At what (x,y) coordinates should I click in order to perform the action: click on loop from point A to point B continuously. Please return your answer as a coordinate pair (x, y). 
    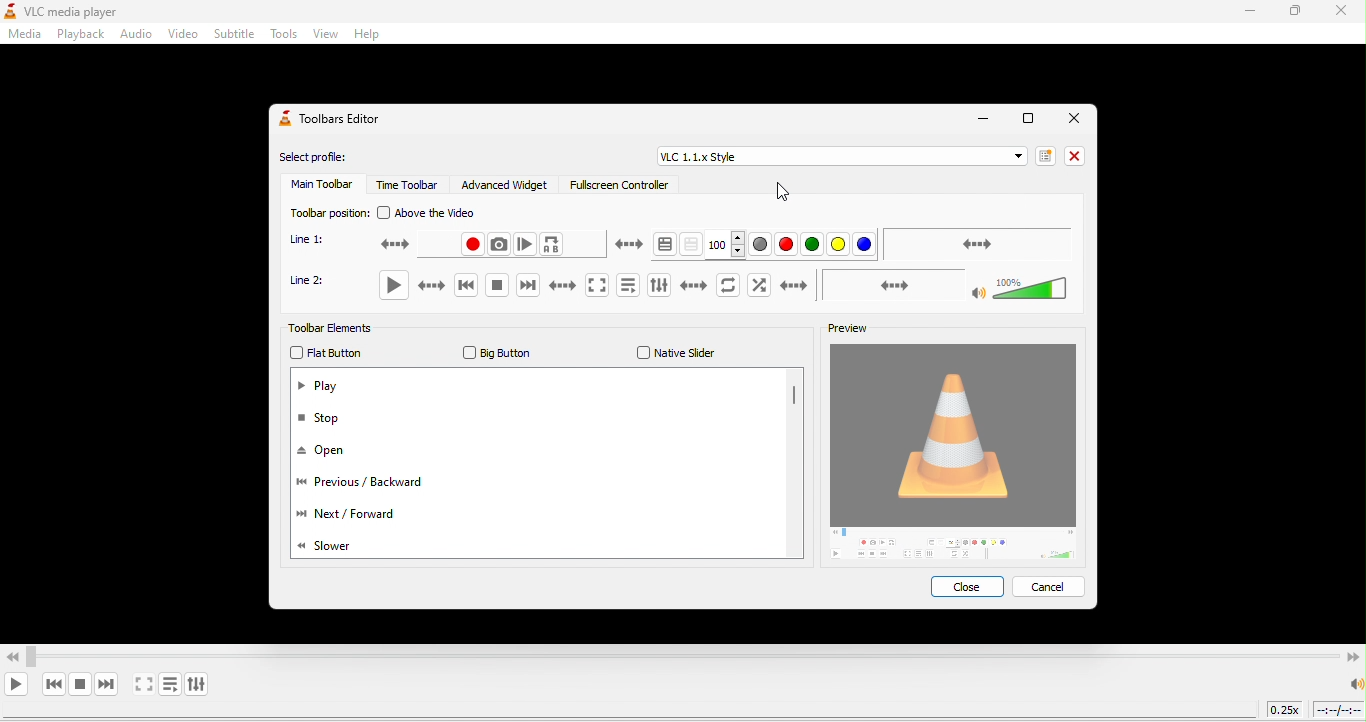
    Looking at the image, I should click on (552, 245).